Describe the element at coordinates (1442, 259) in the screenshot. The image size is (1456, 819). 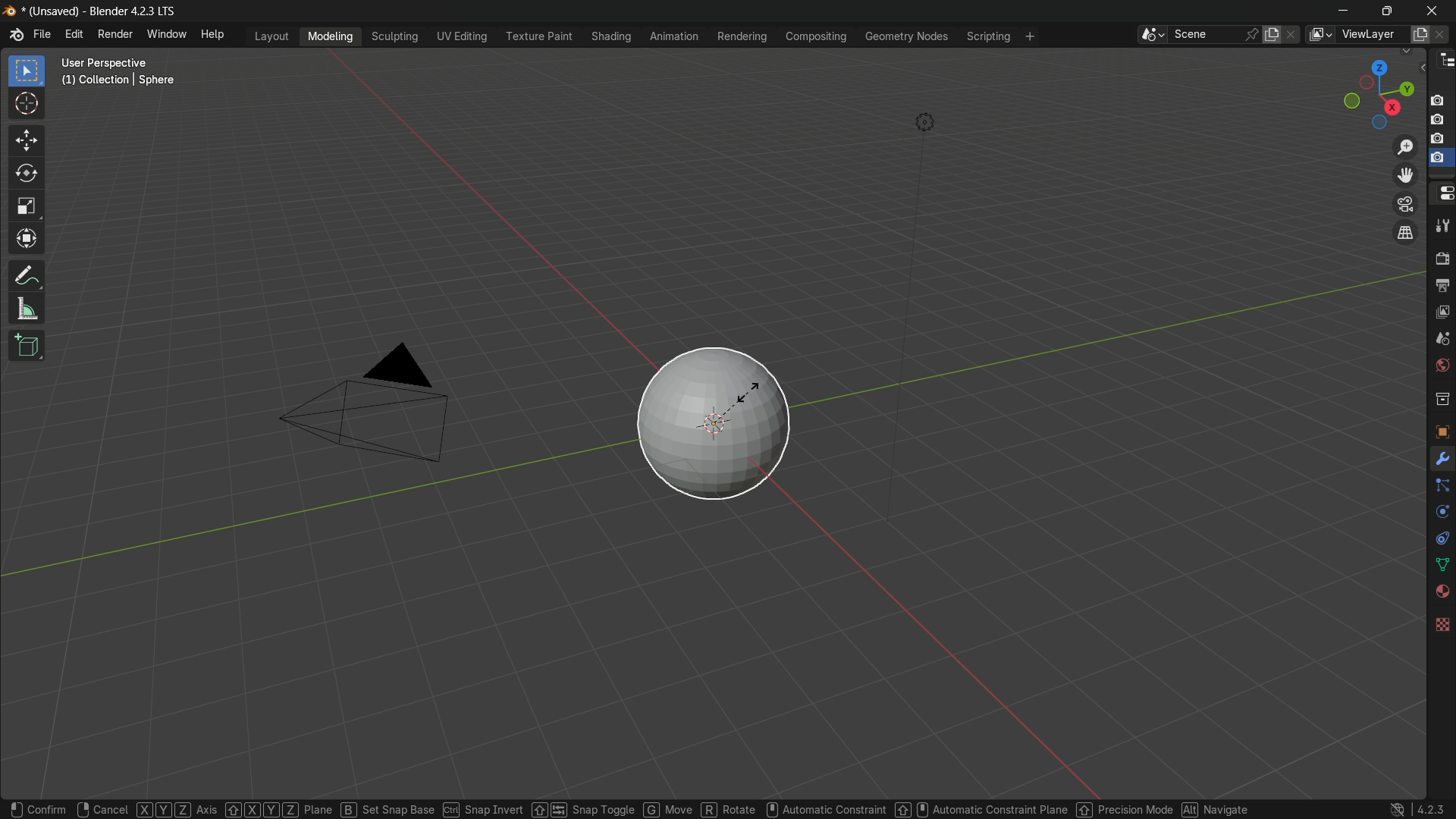
I see `render` at that location.